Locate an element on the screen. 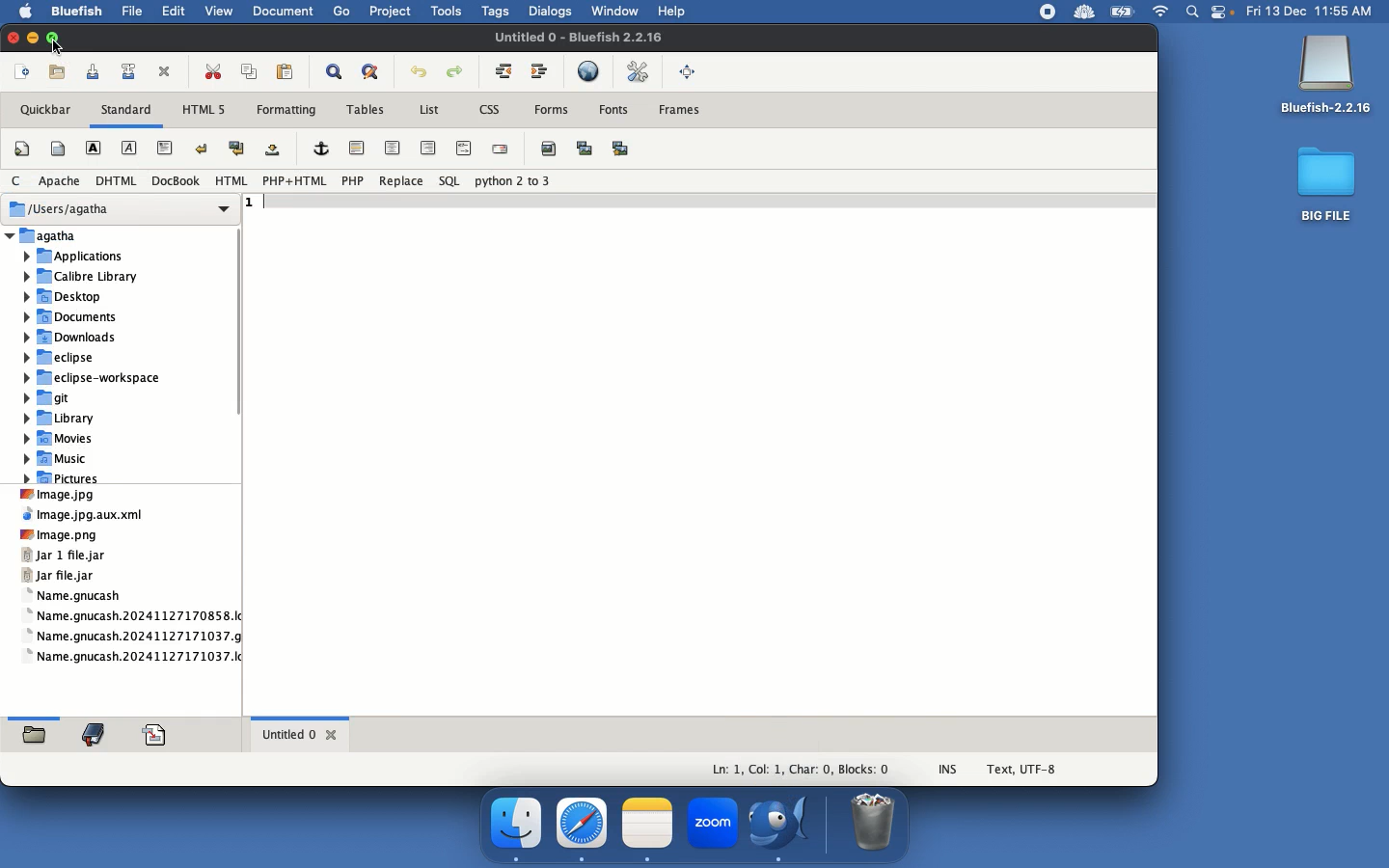 The image size is (1389, 868). desktop is located at coordinates (75, 296).